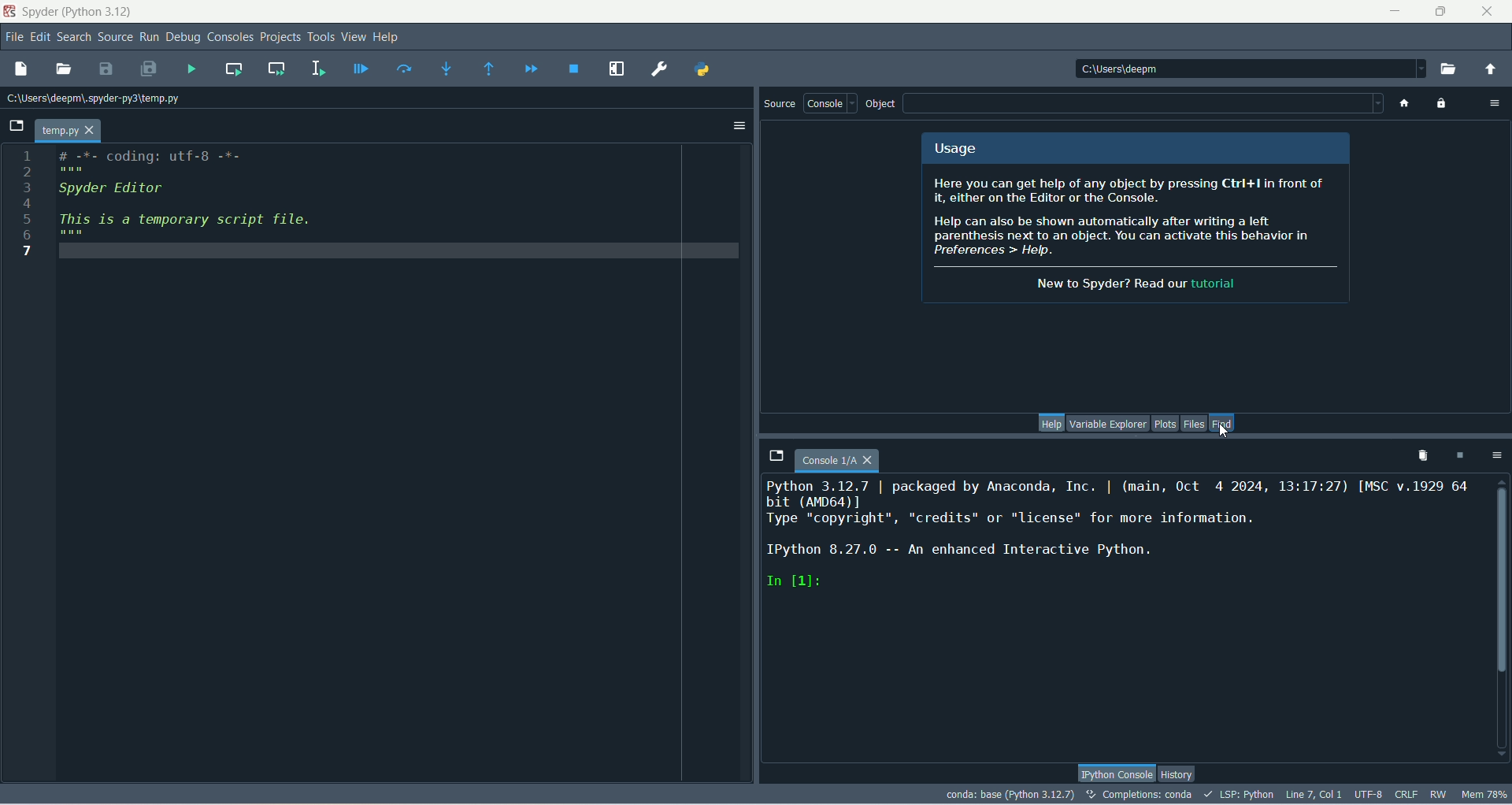  I want to click on usage, so click(1135, 147).